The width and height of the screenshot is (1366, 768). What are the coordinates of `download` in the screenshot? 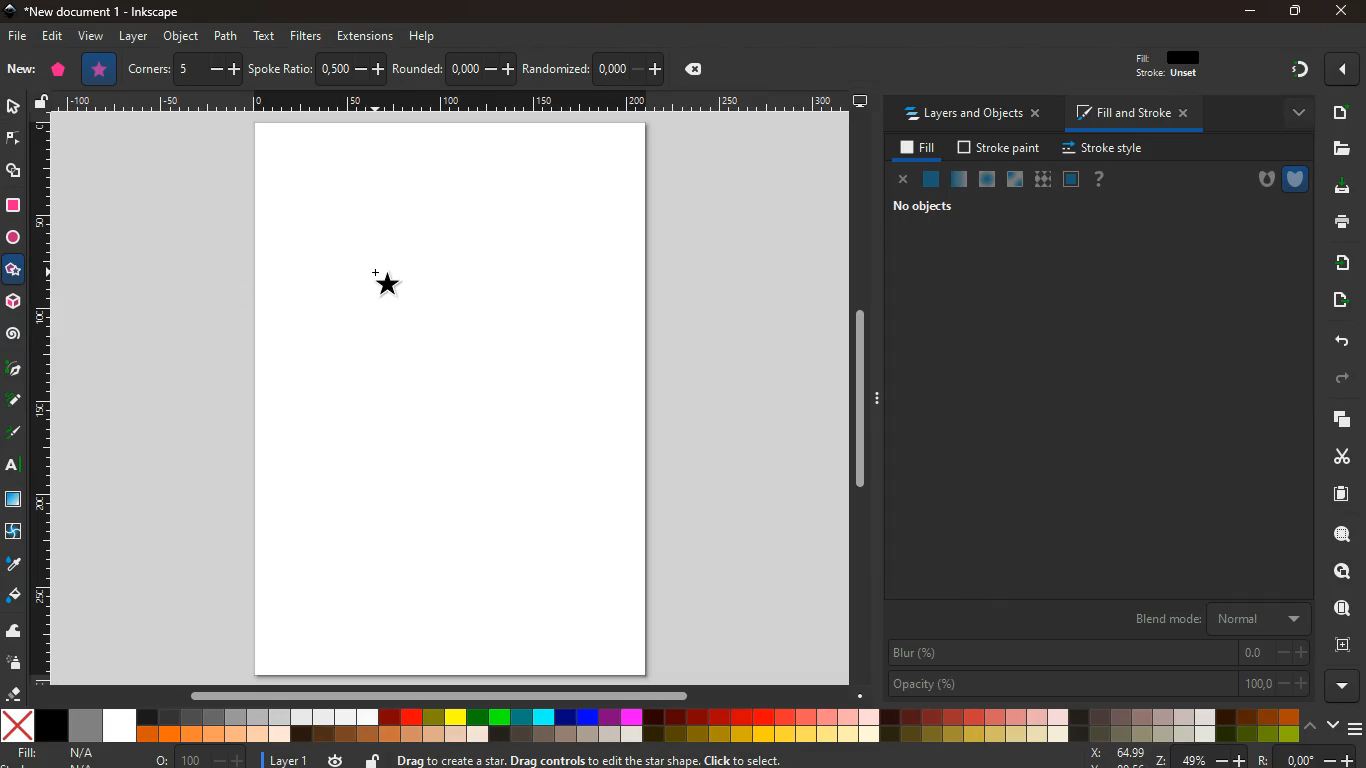 It's located at (1342, 188).